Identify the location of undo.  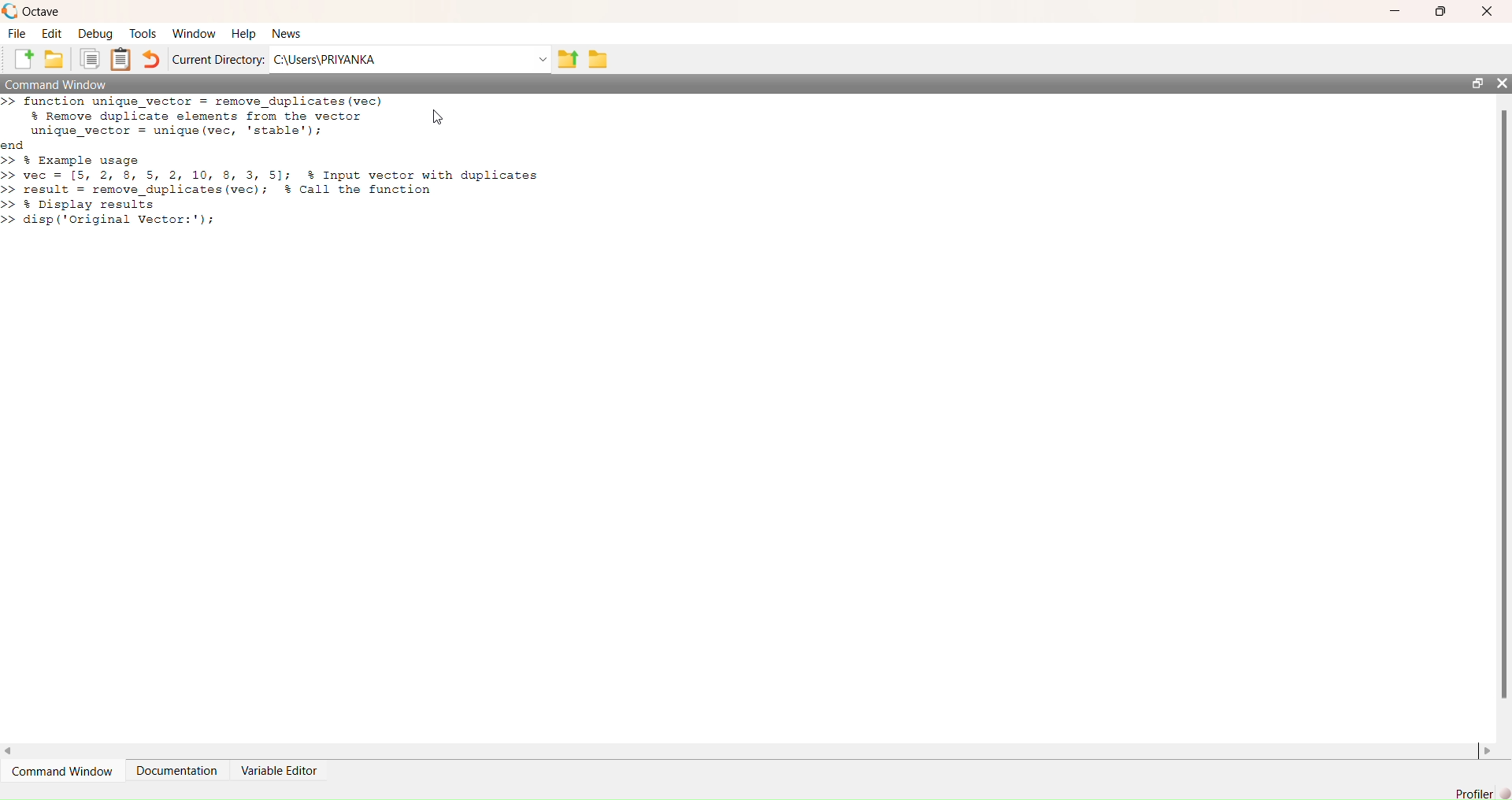
(150, 59).